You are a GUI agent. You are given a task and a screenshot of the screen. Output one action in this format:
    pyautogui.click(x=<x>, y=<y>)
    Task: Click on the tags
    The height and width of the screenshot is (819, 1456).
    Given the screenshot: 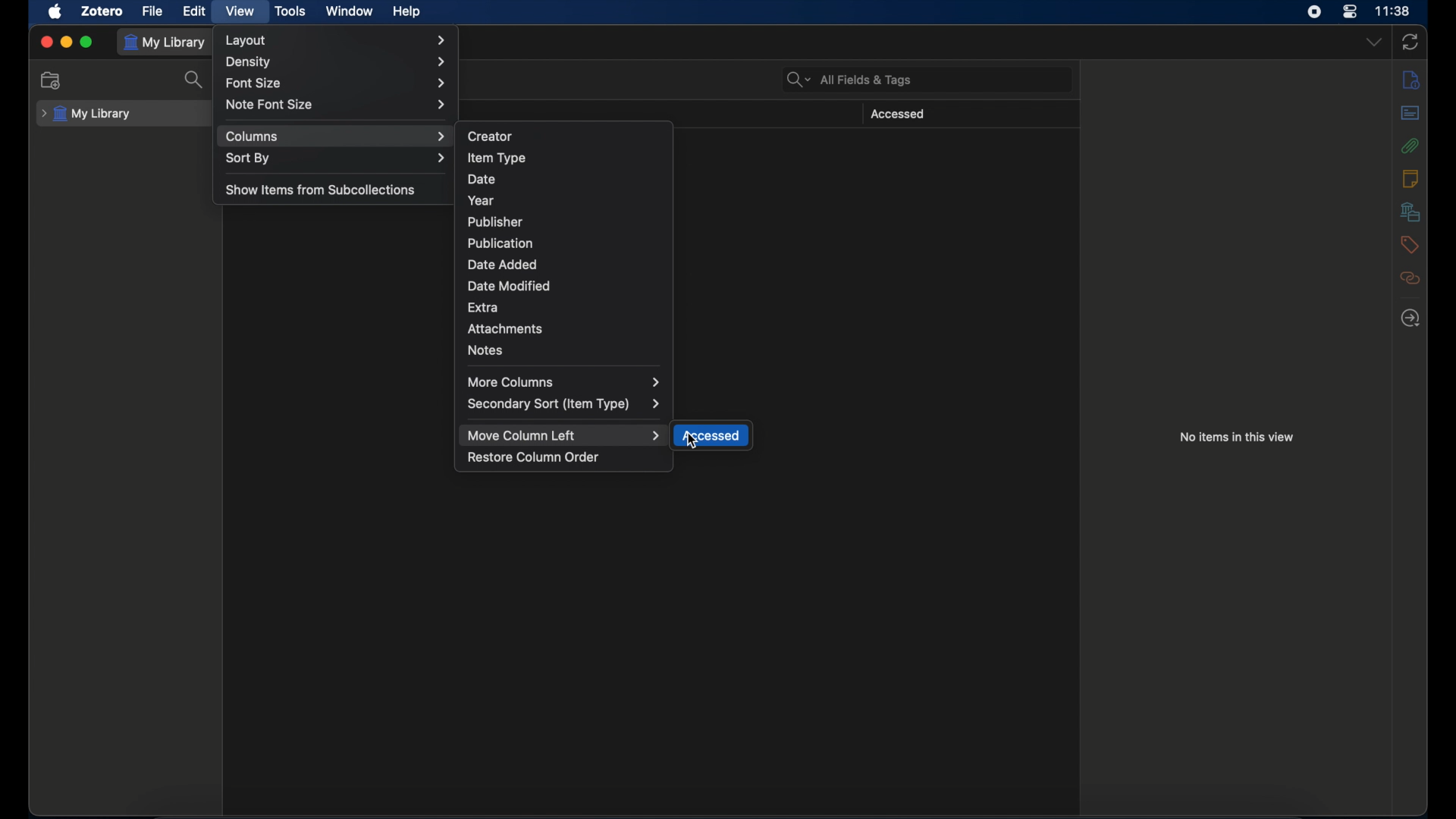 What is the action you would take?
    pyautogui.click(x=1410, y=244)
    